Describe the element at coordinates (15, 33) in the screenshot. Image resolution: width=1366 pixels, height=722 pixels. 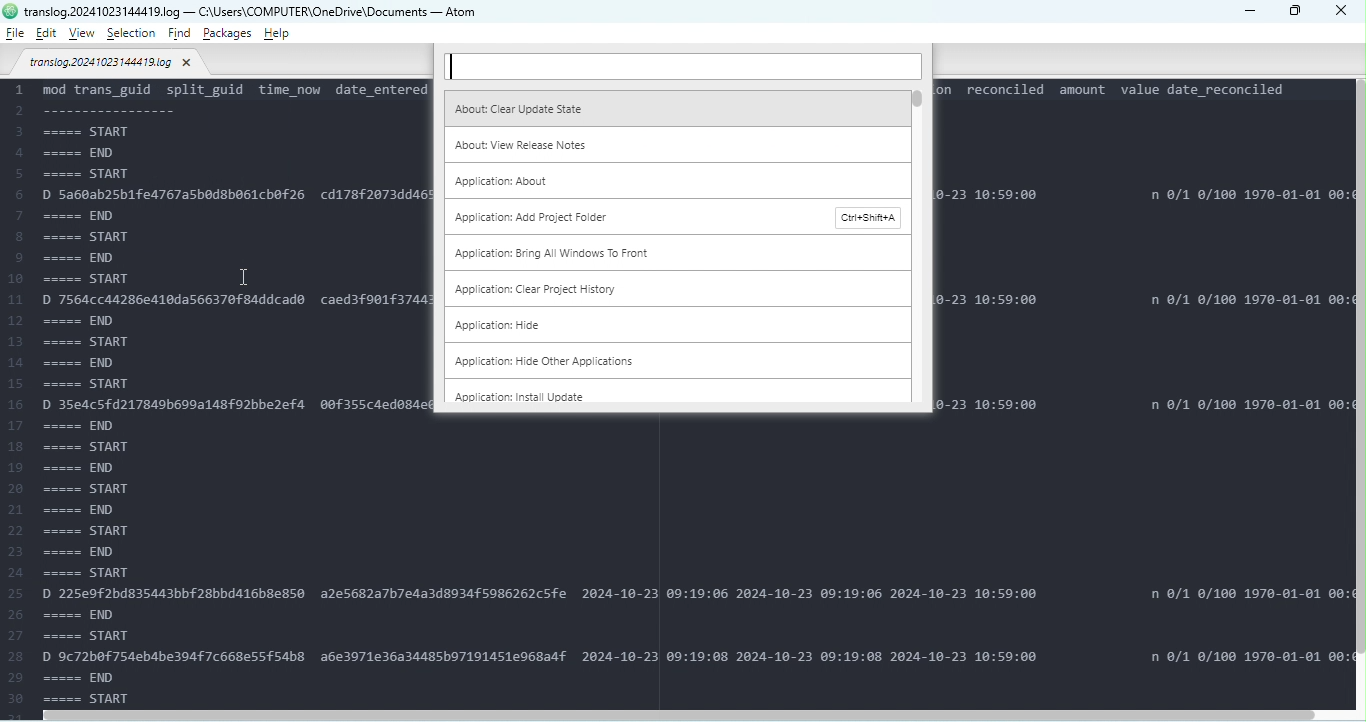
I see `File` at that location.